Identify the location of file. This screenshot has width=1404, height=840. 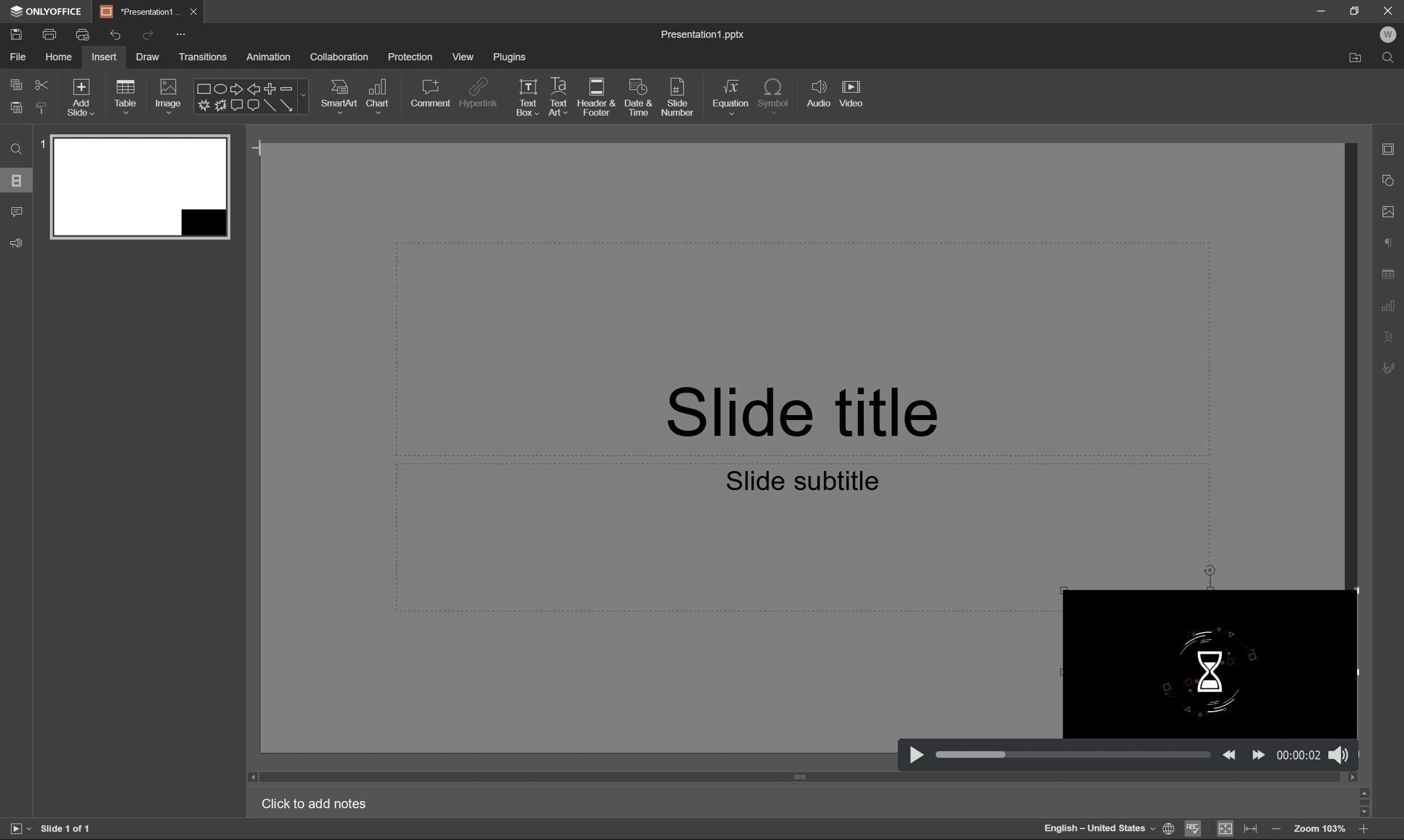
(16, 55).